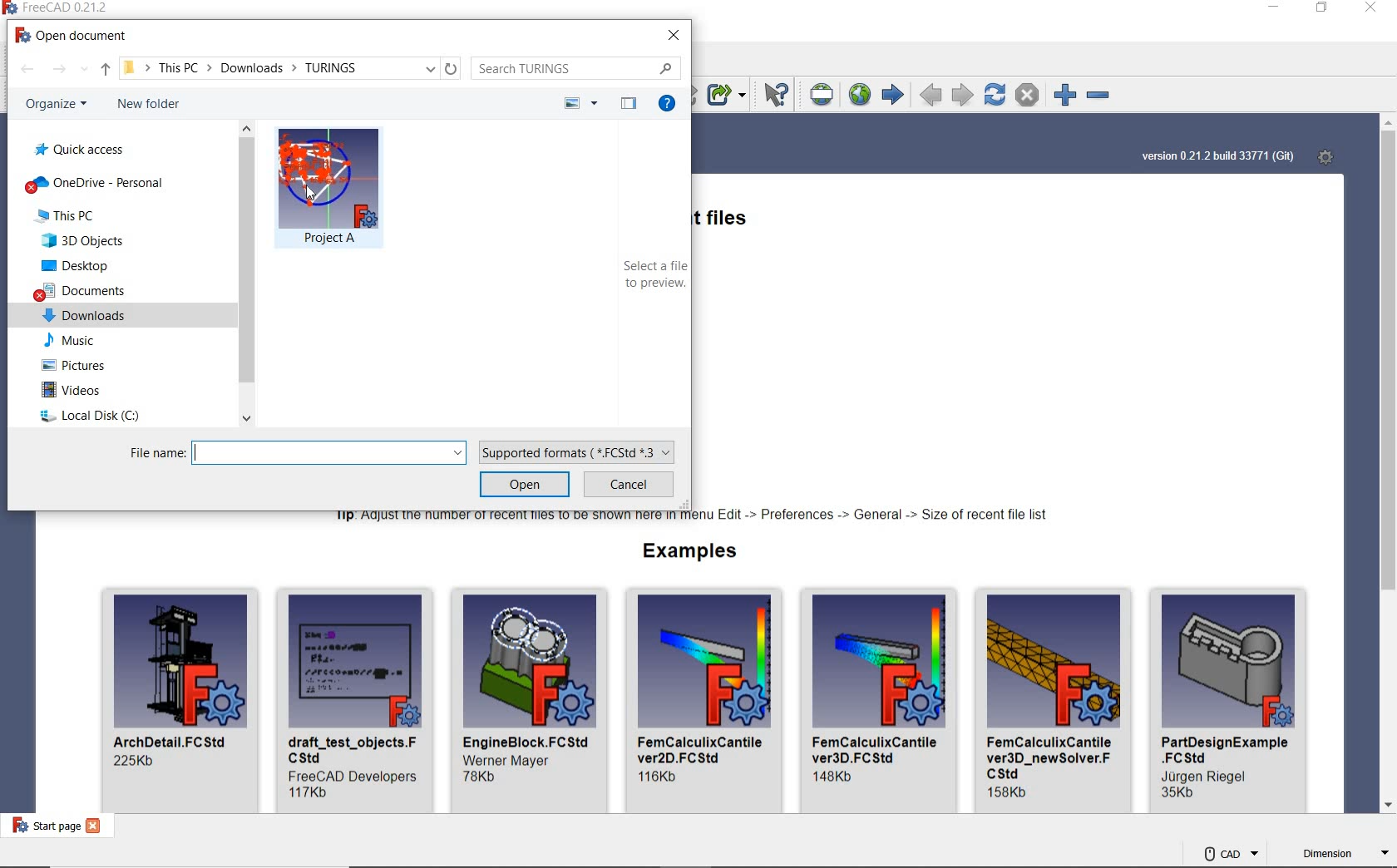 Image resolution: width=1397 pixels, height=868 pixels. Describe the element at coordinates (1323, 9) in the screenshot. I see `RESTORE DOWN` at that location.